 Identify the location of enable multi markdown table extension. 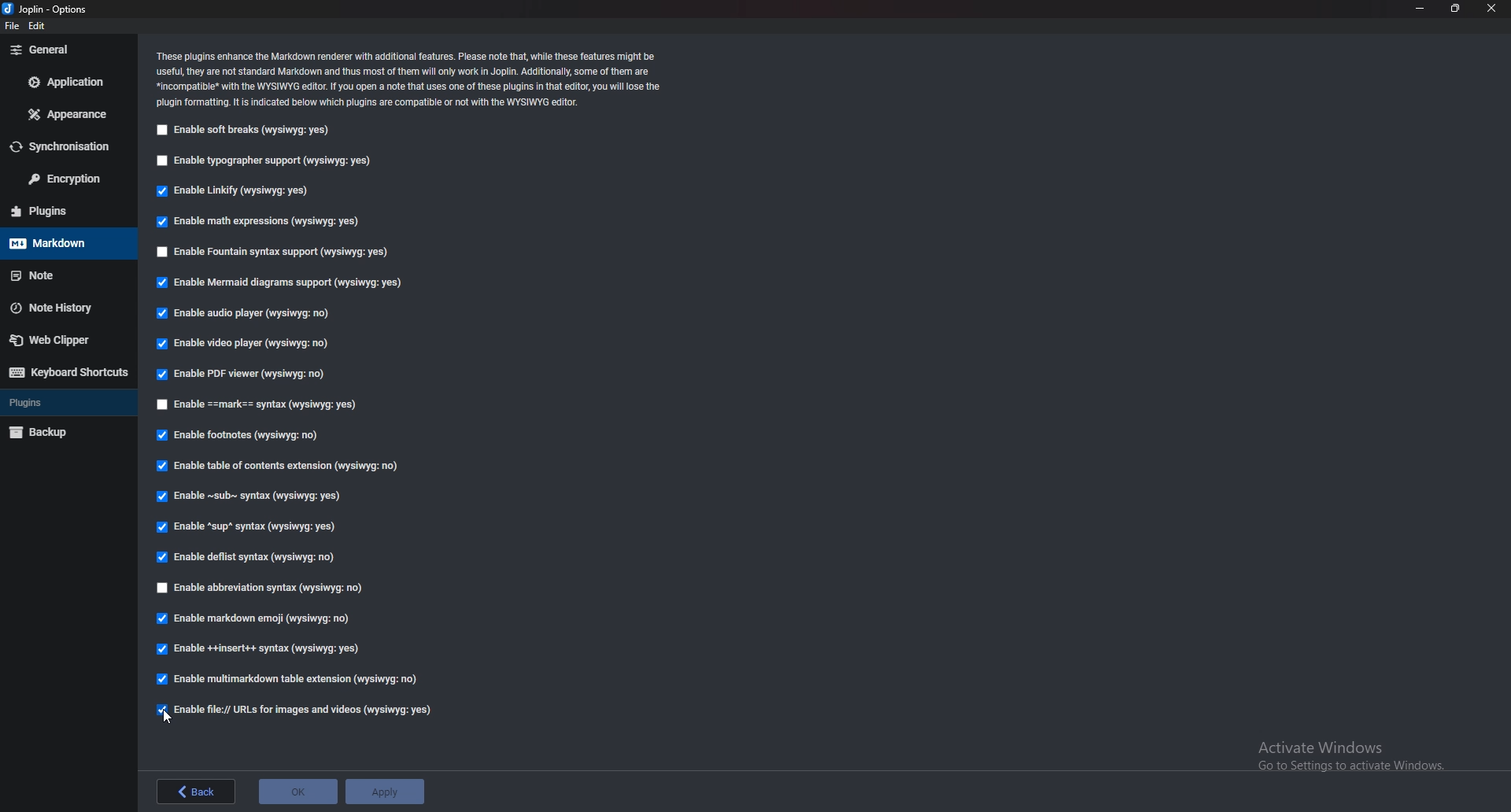
(290, 679).